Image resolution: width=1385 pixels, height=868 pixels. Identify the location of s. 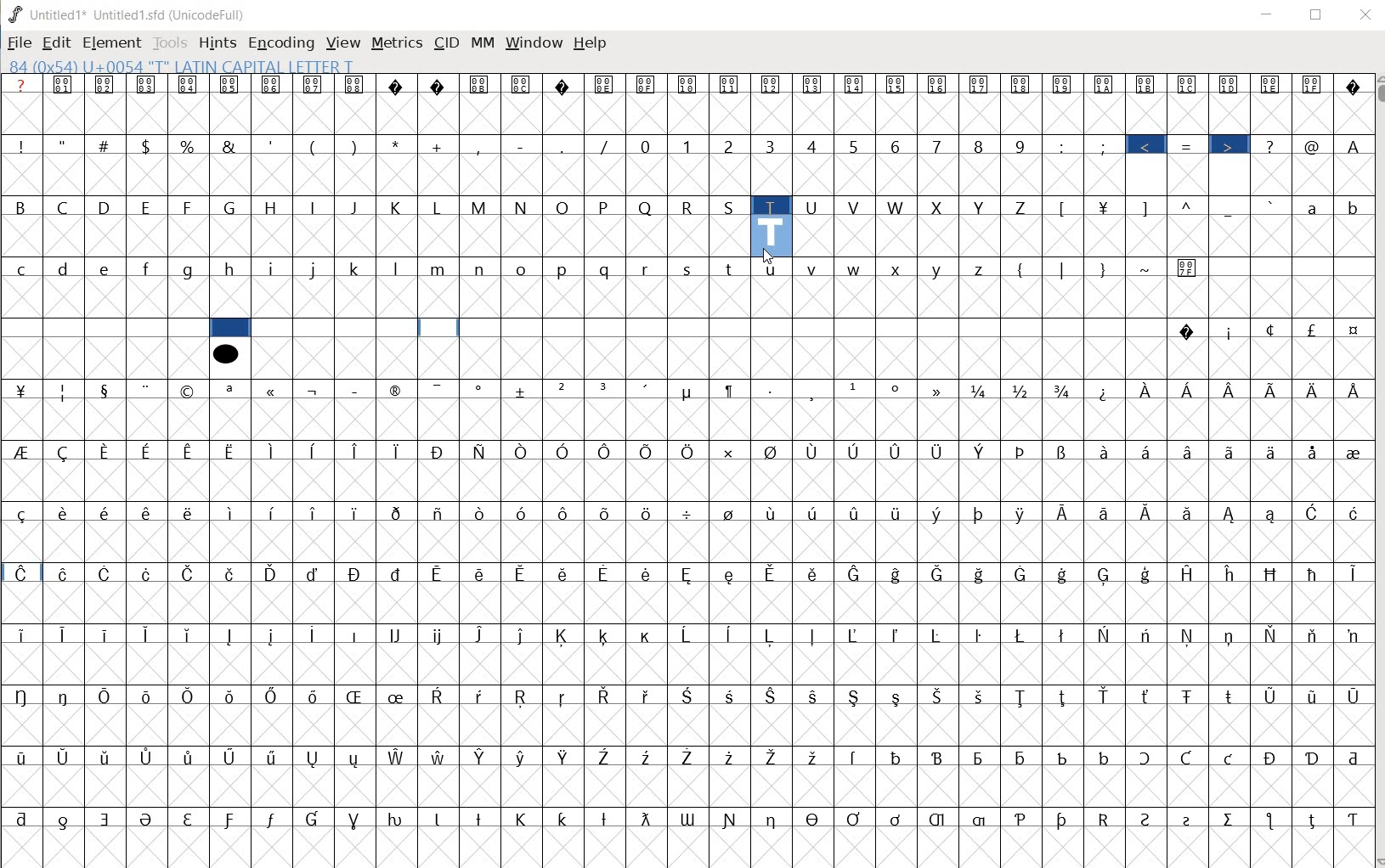
(687, 269).